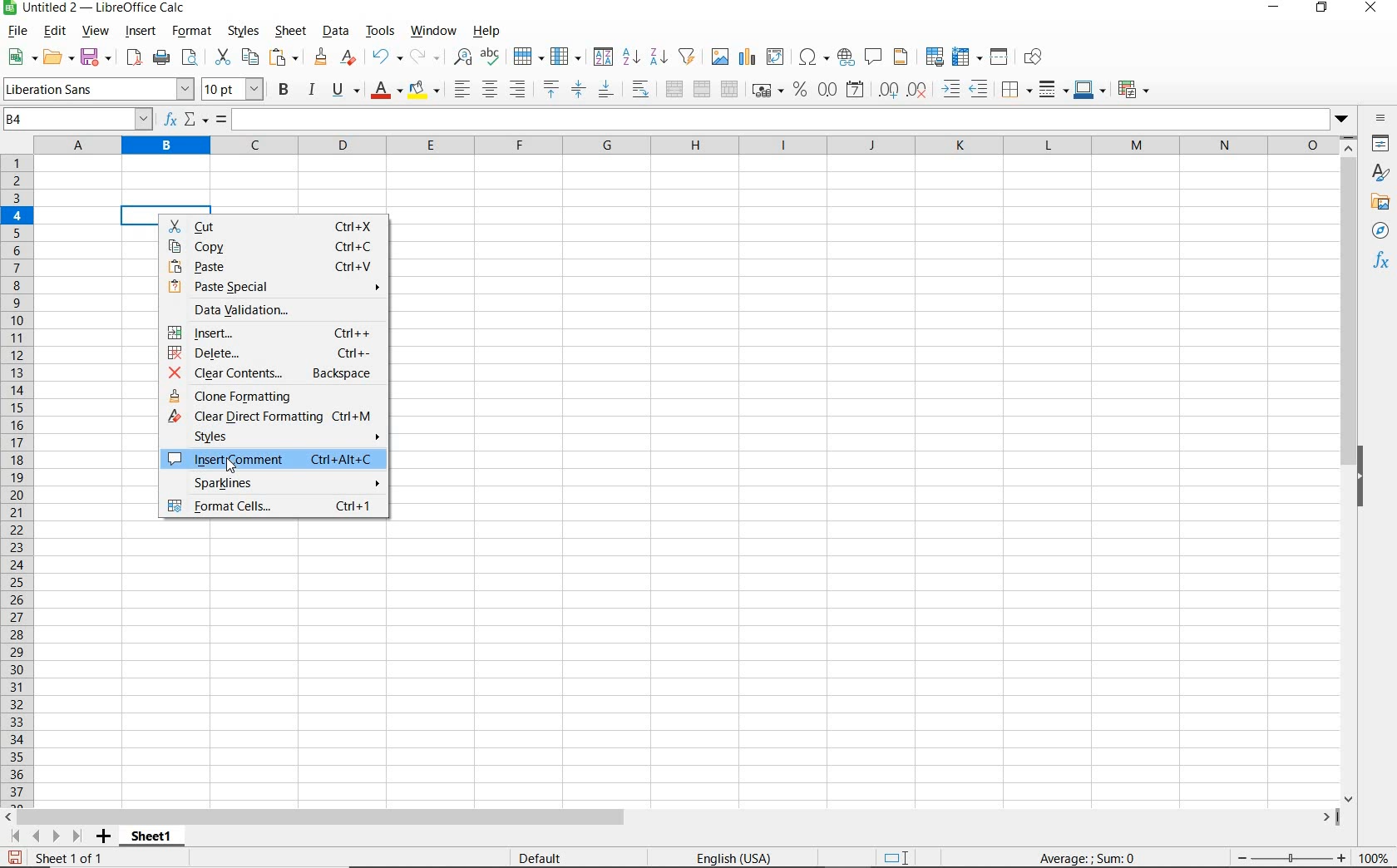 Image resolution: width=1397 pixels, height=868 pixels. I want to click on clear contents, so click(274, 375).